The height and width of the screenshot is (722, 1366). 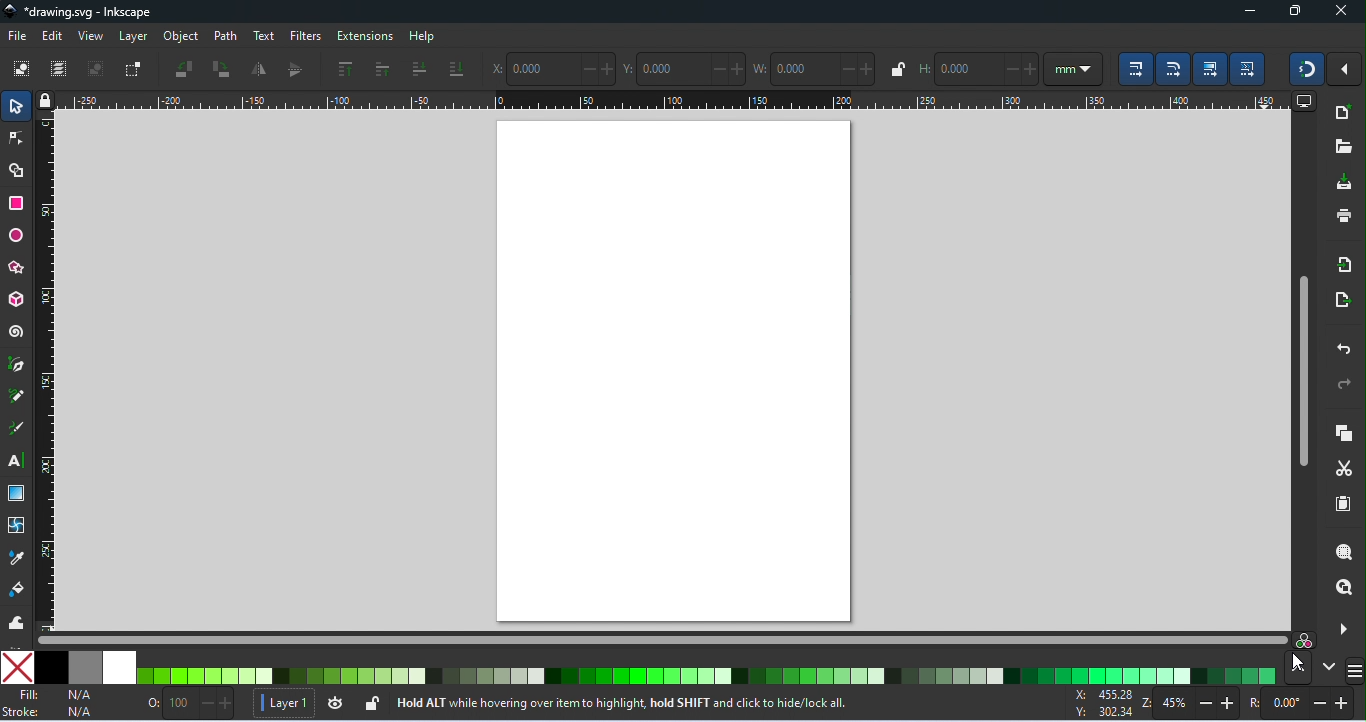 What do you see at coordinates (131, 69) in the screenshot?
I see `toggle selection box` at bounding box center [131, 69].